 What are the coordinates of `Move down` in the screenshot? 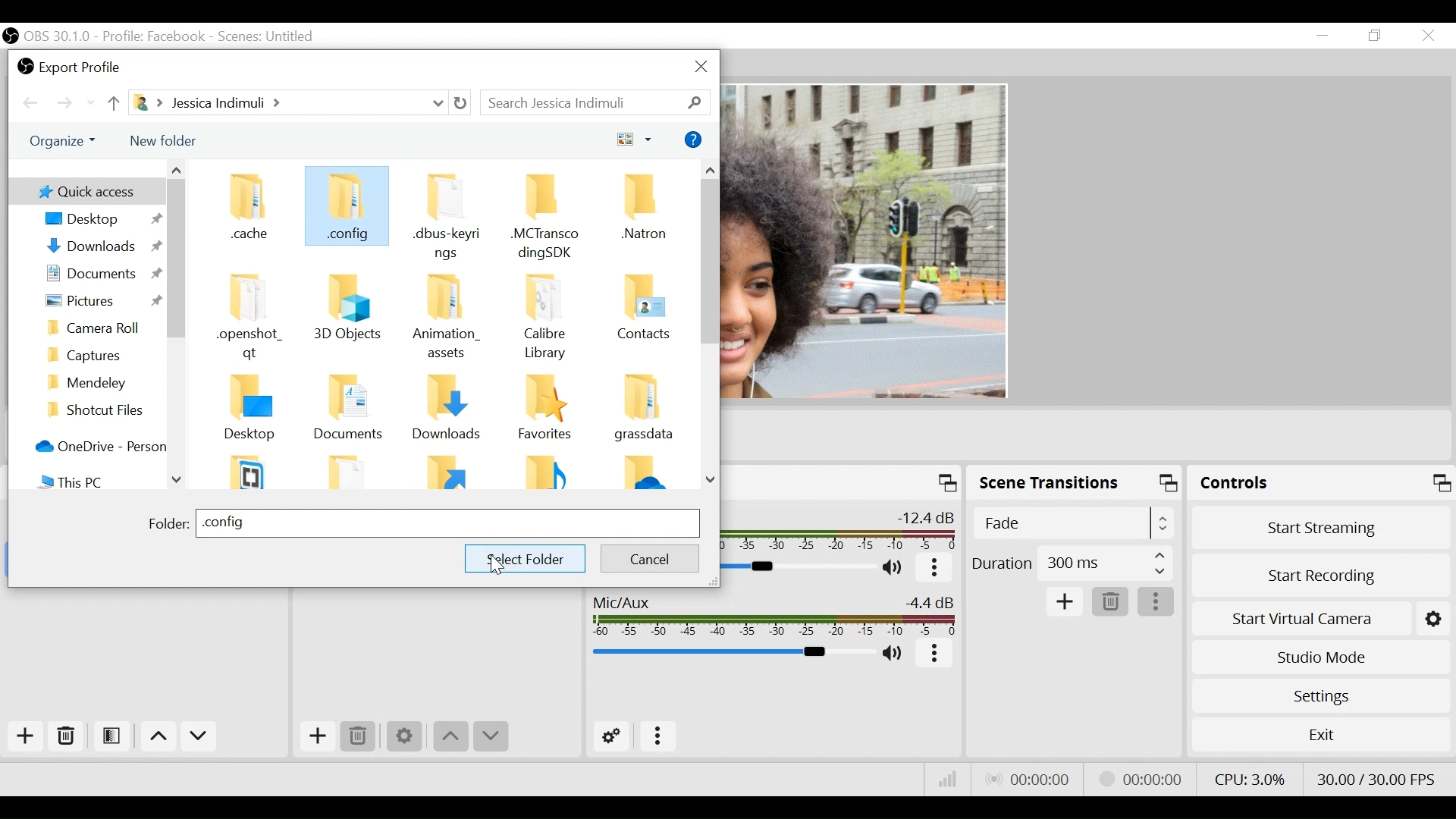 It's located at (201, 736).